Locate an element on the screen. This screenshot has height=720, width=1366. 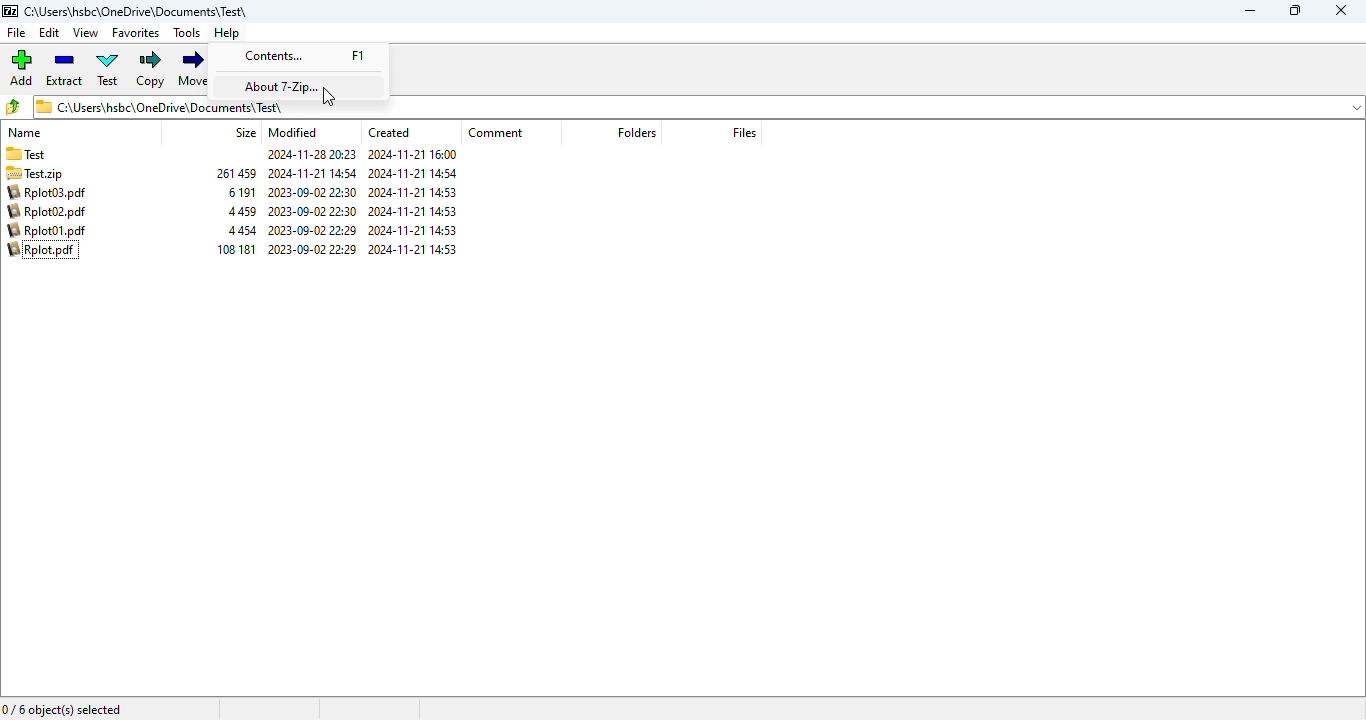
maximize is located at coordinates (1296, 10).